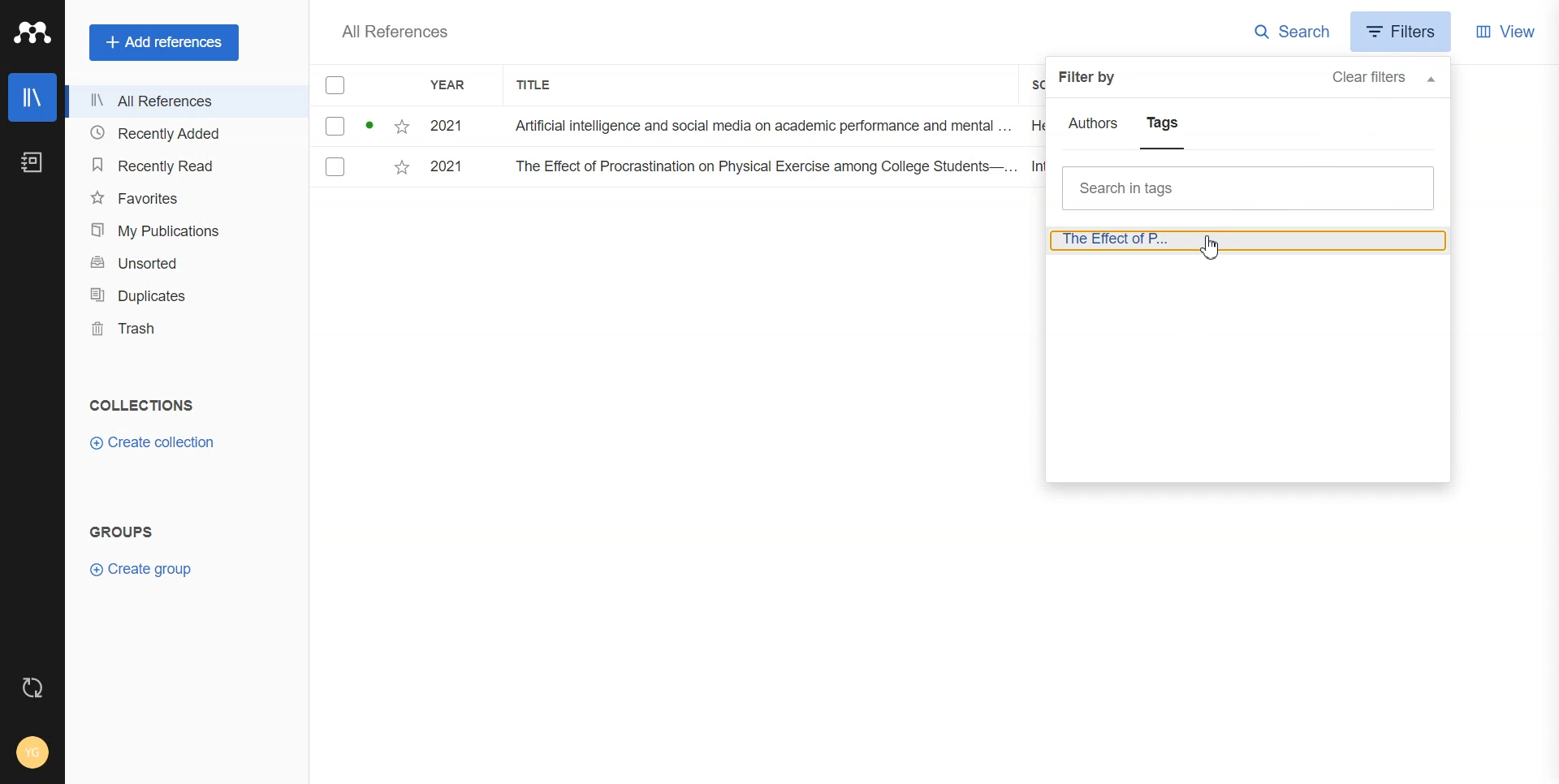 The image size is (1559, 784). I want to click on Trash, so click(174, 331).